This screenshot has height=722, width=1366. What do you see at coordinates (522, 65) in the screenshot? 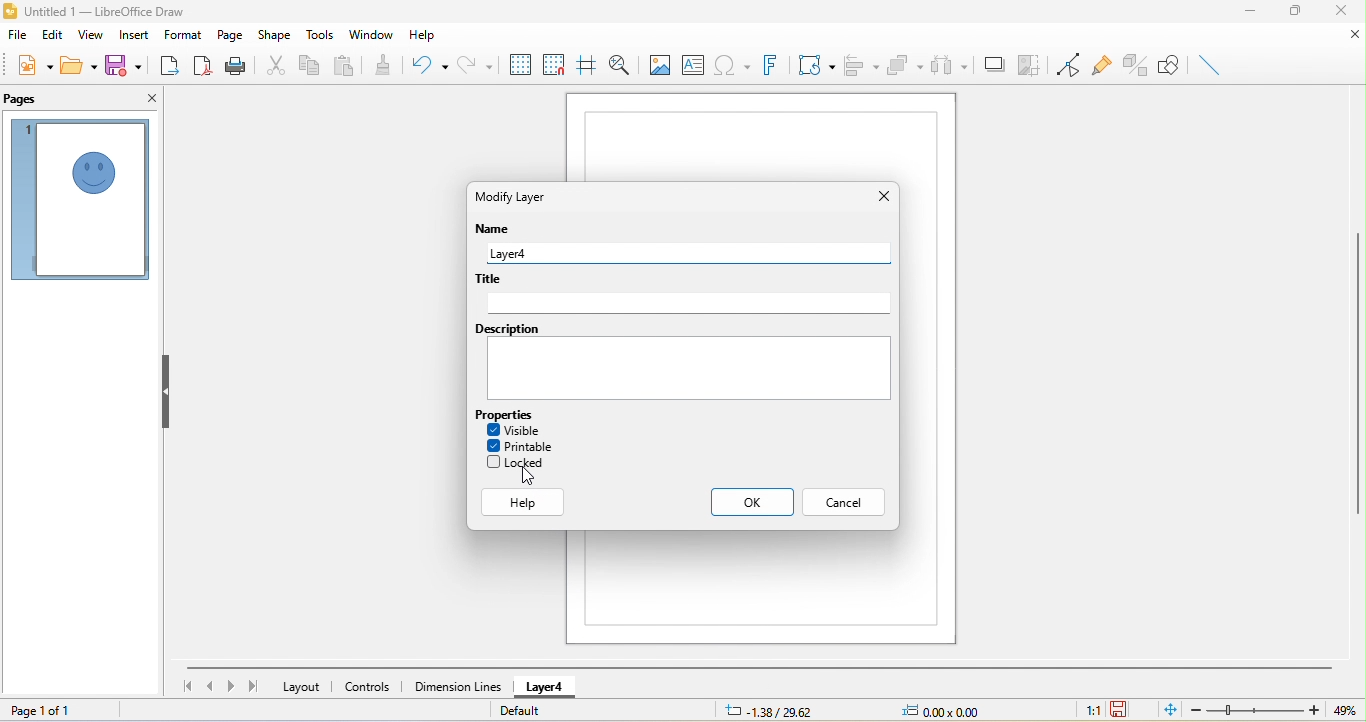
I see `display grid` at bounding box center [522, 65].